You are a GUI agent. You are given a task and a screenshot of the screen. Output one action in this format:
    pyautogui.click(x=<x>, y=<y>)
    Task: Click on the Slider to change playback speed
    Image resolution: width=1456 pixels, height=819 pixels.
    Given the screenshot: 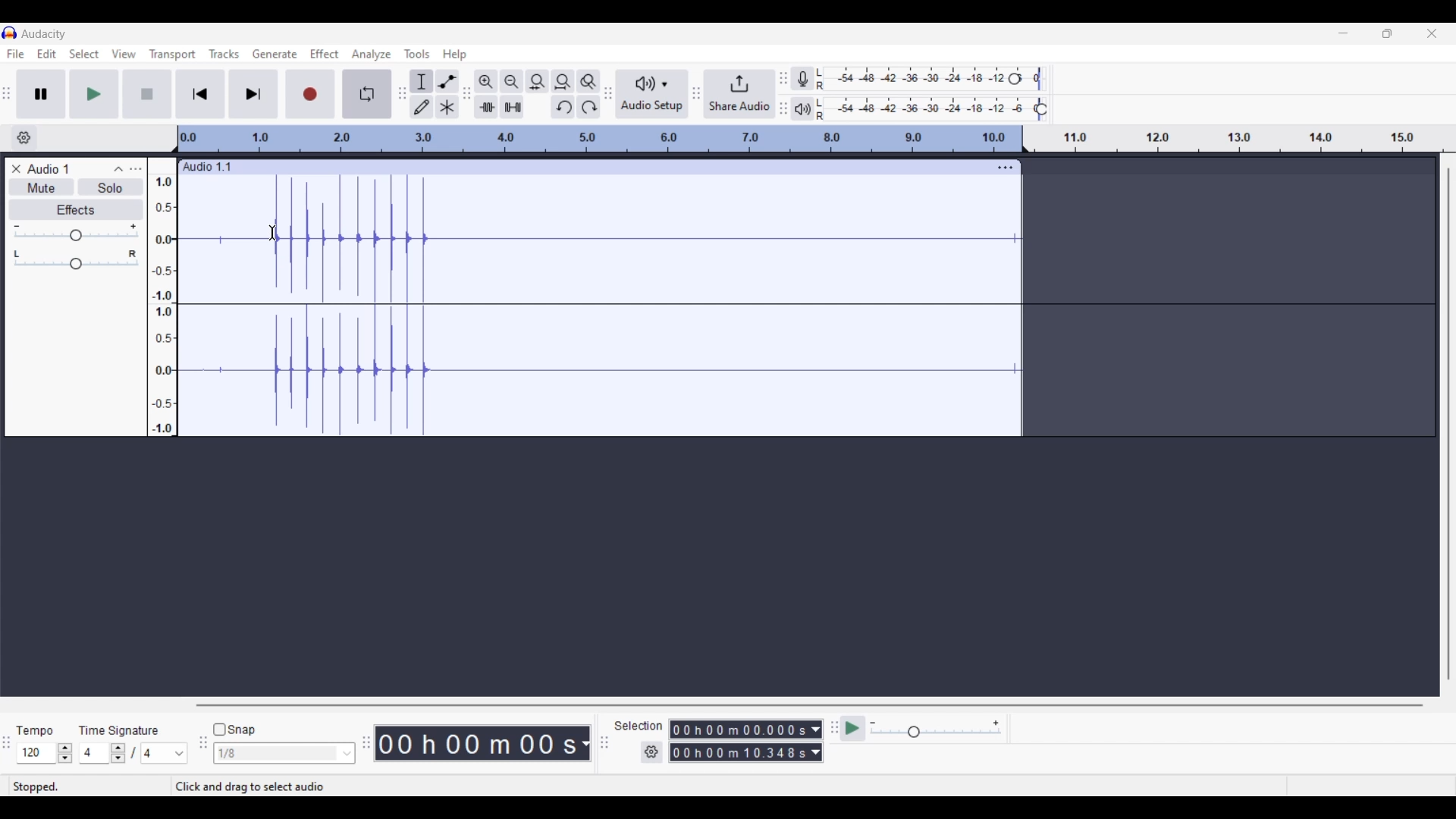 What is the action you would take?
    pyautogui.click(x=936, y=733)
    